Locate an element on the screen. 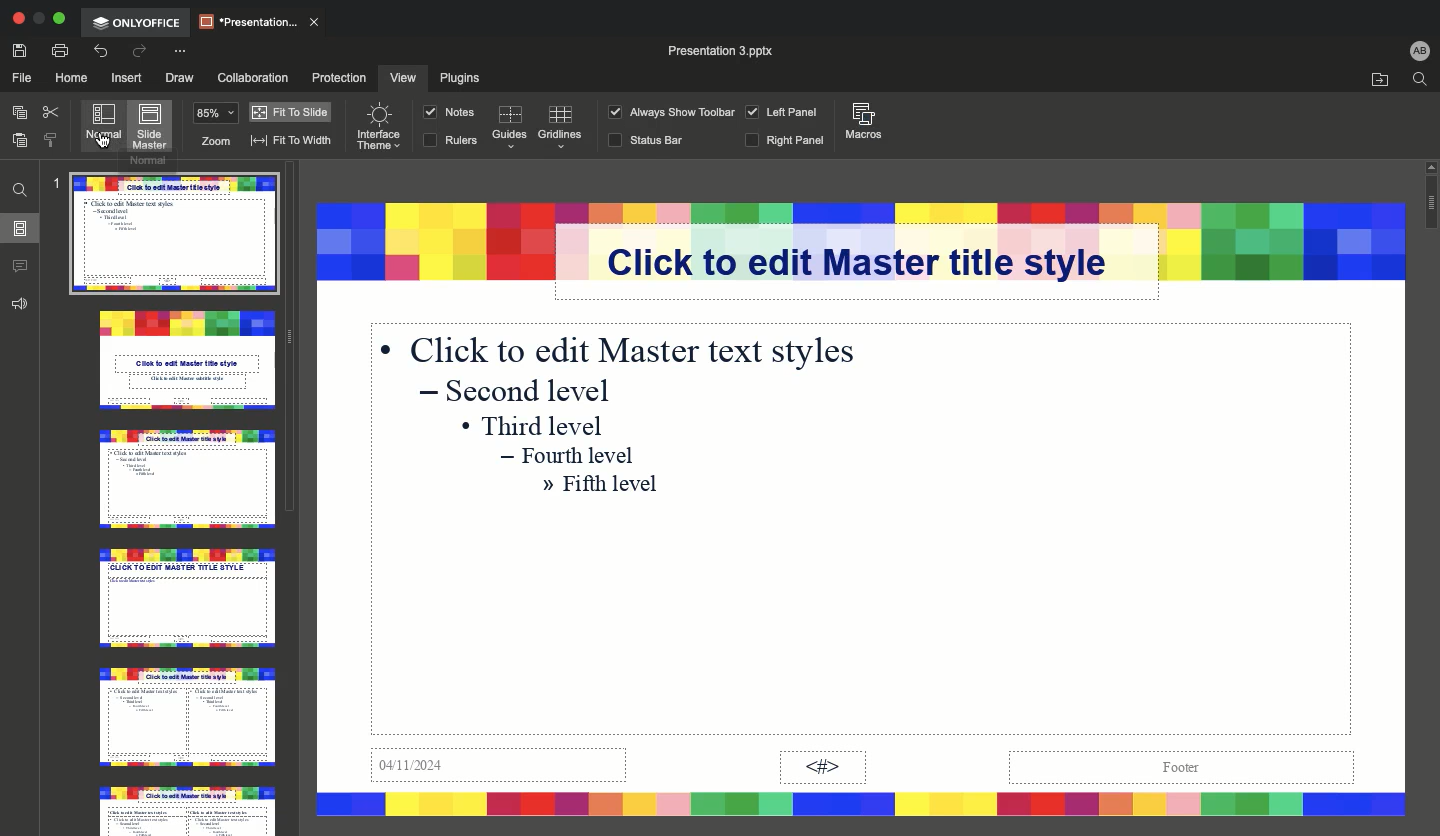 The image size is (1440, 836). Status bar is located at coordinates (647, 141).